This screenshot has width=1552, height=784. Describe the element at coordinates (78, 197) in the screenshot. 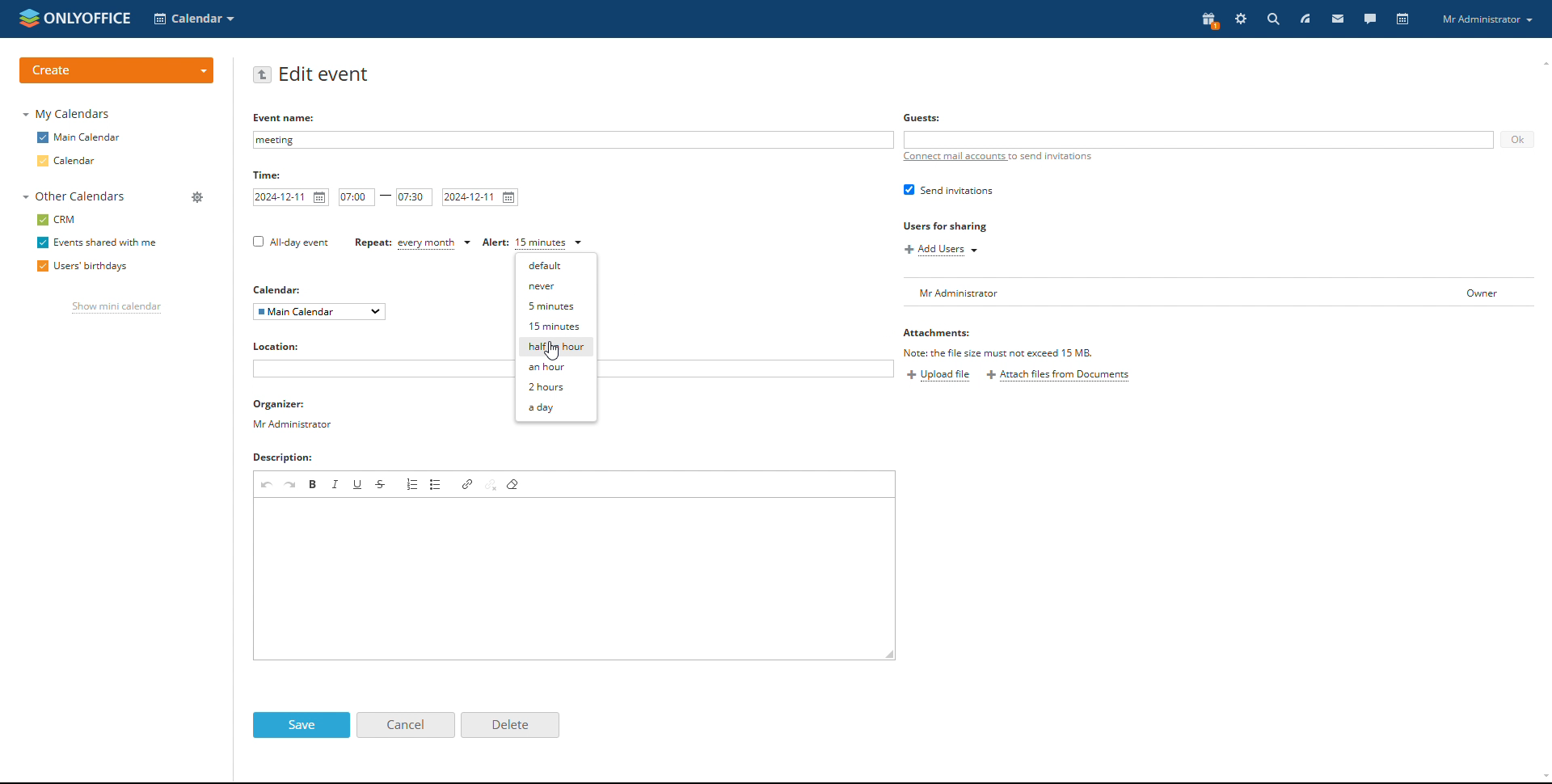

I see `other calendars` at that location.